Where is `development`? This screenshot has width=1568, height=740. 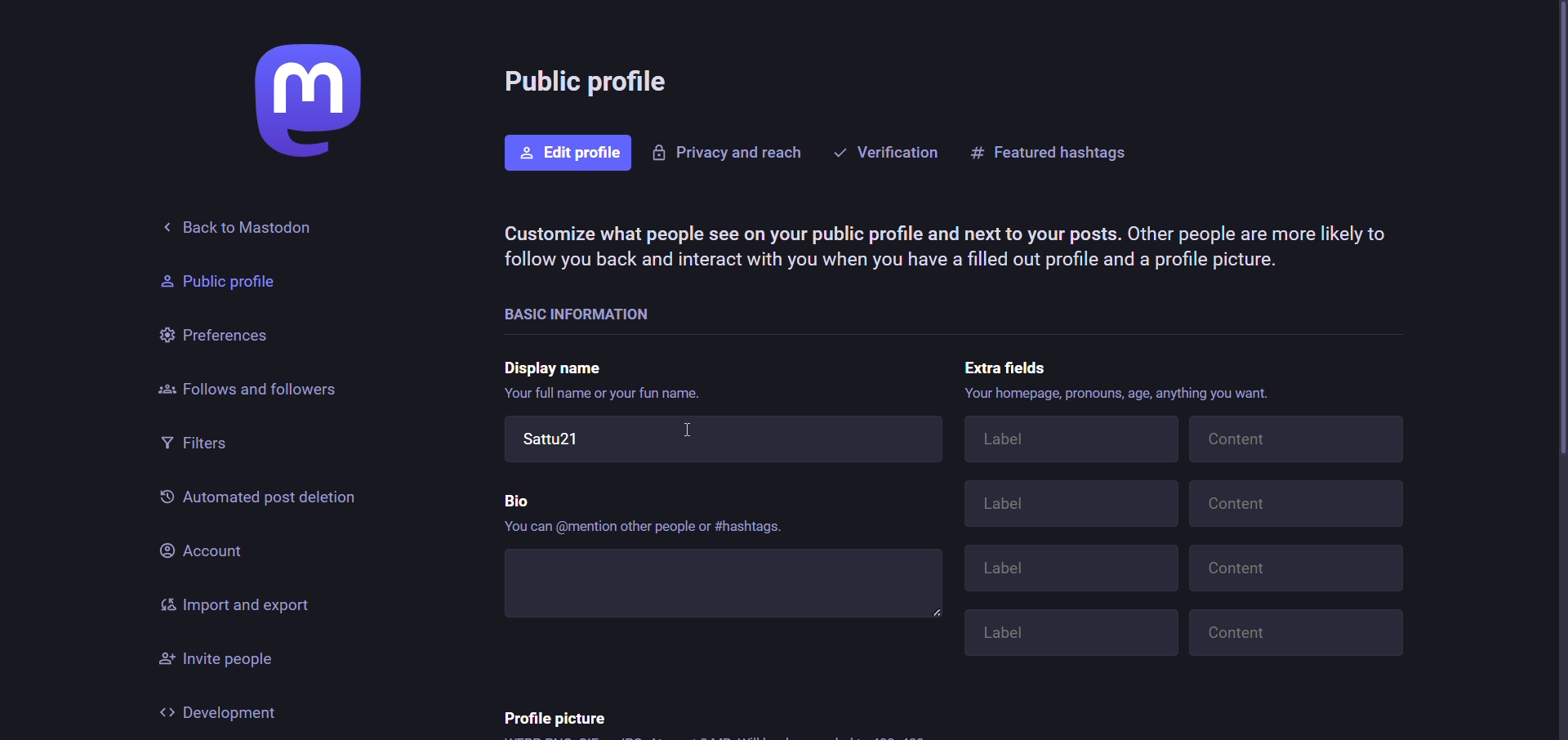 development is located at coordinates (222, 712).